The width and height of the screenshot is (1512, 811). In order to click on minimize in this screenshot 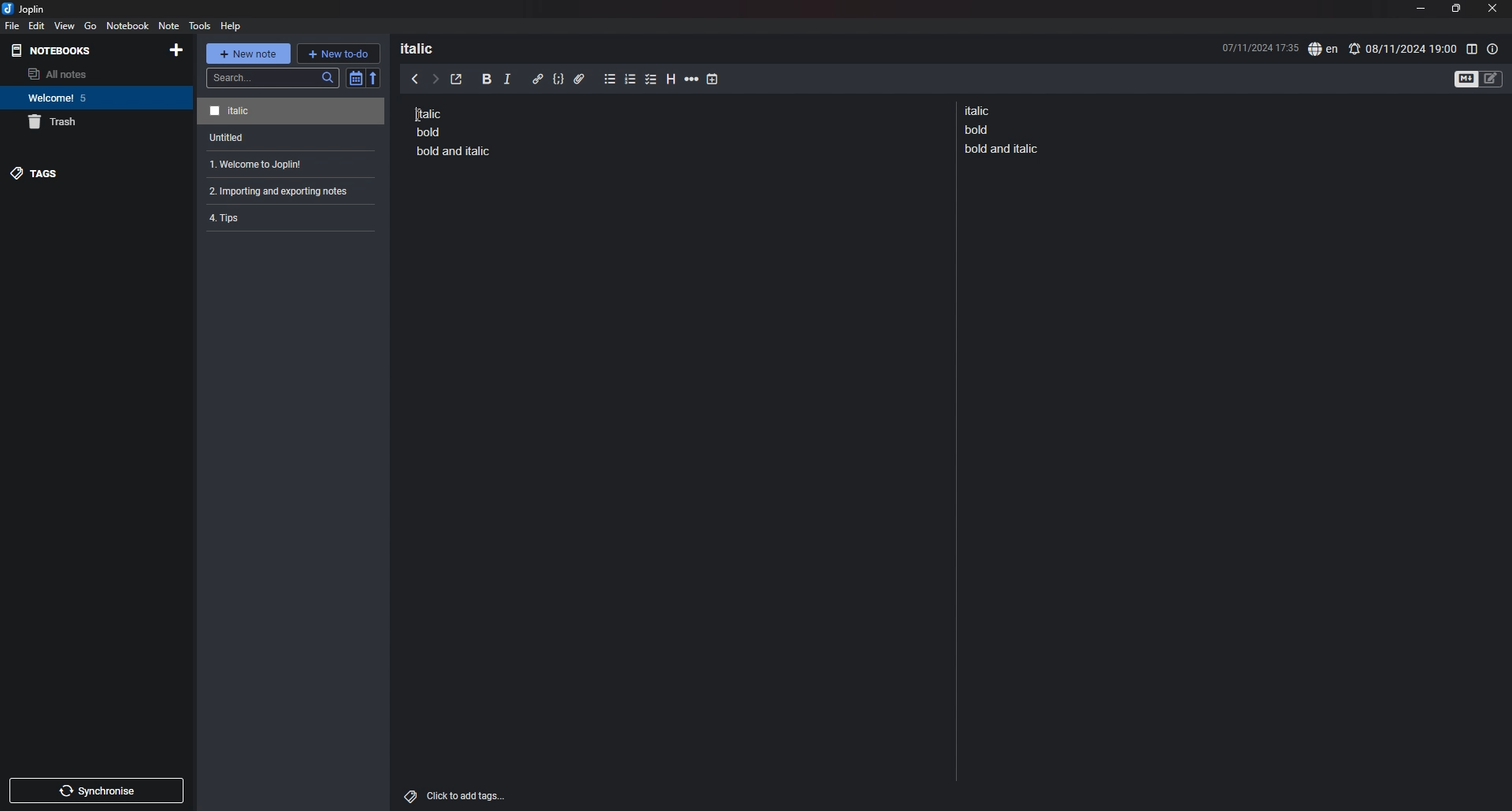, I will do `click(1420, 8)`.